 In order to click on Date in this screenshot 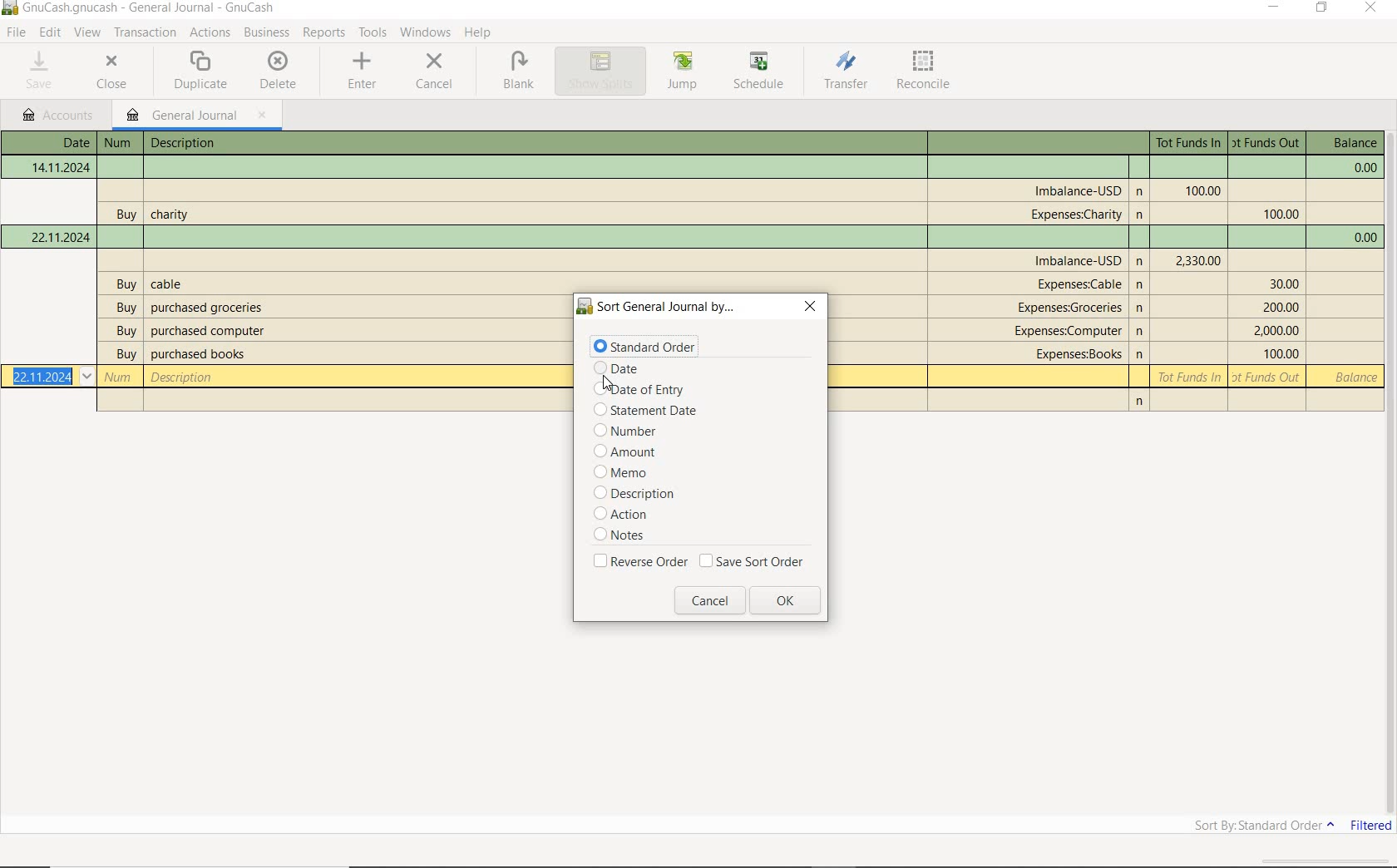, I will do `click(68, 142)`.